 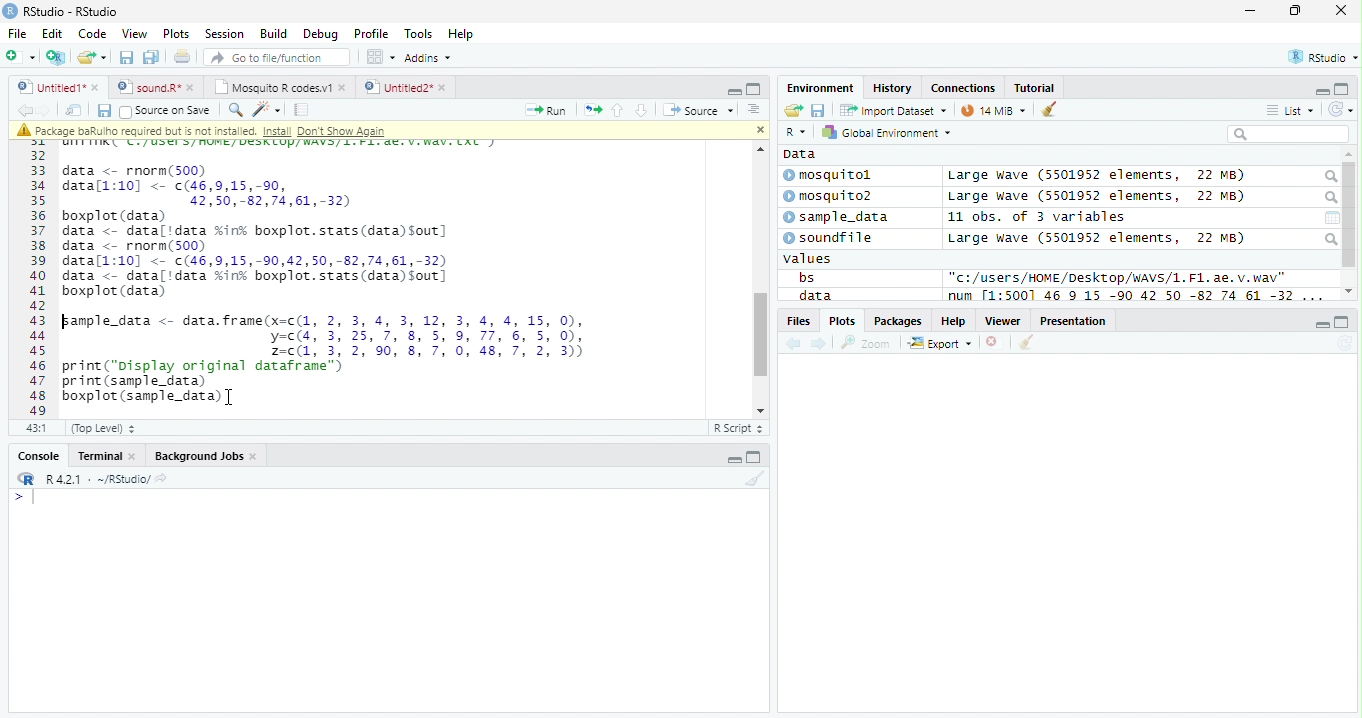 I want to click on Build, so click(x=274, y=33).